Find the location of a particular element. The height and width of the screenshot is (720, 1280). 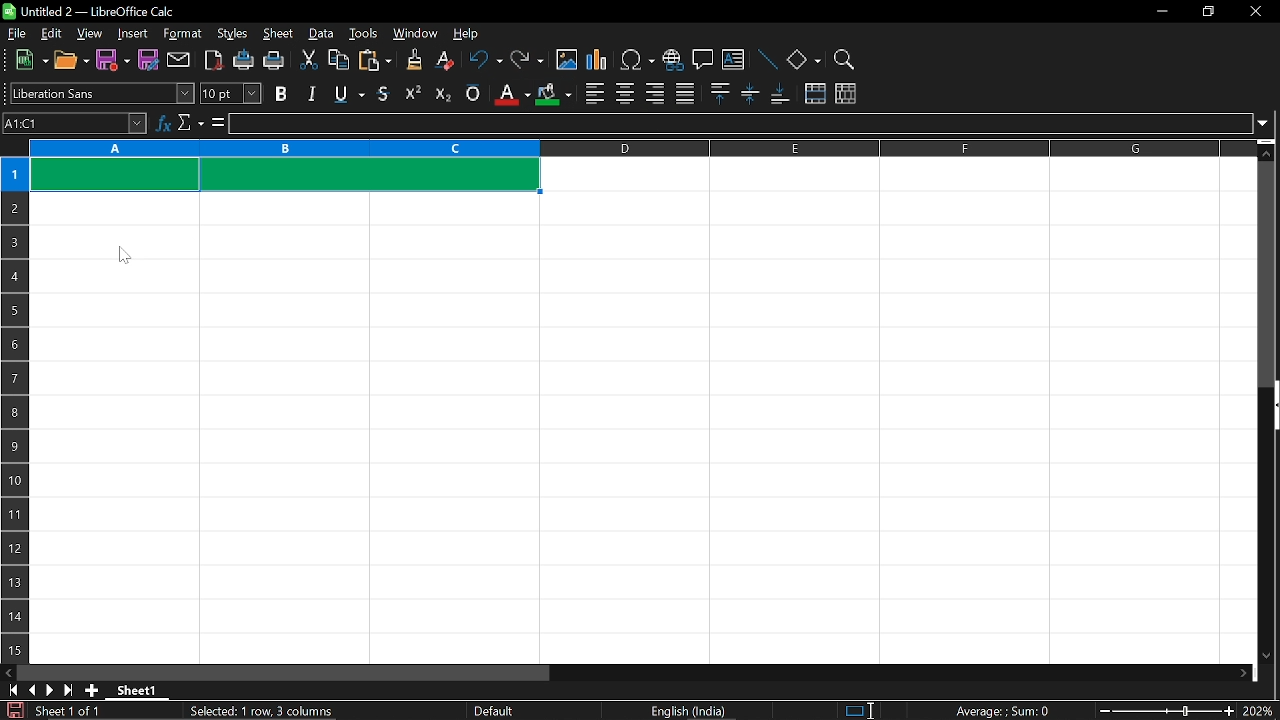

restore down is located at coordinates (1207, 10).